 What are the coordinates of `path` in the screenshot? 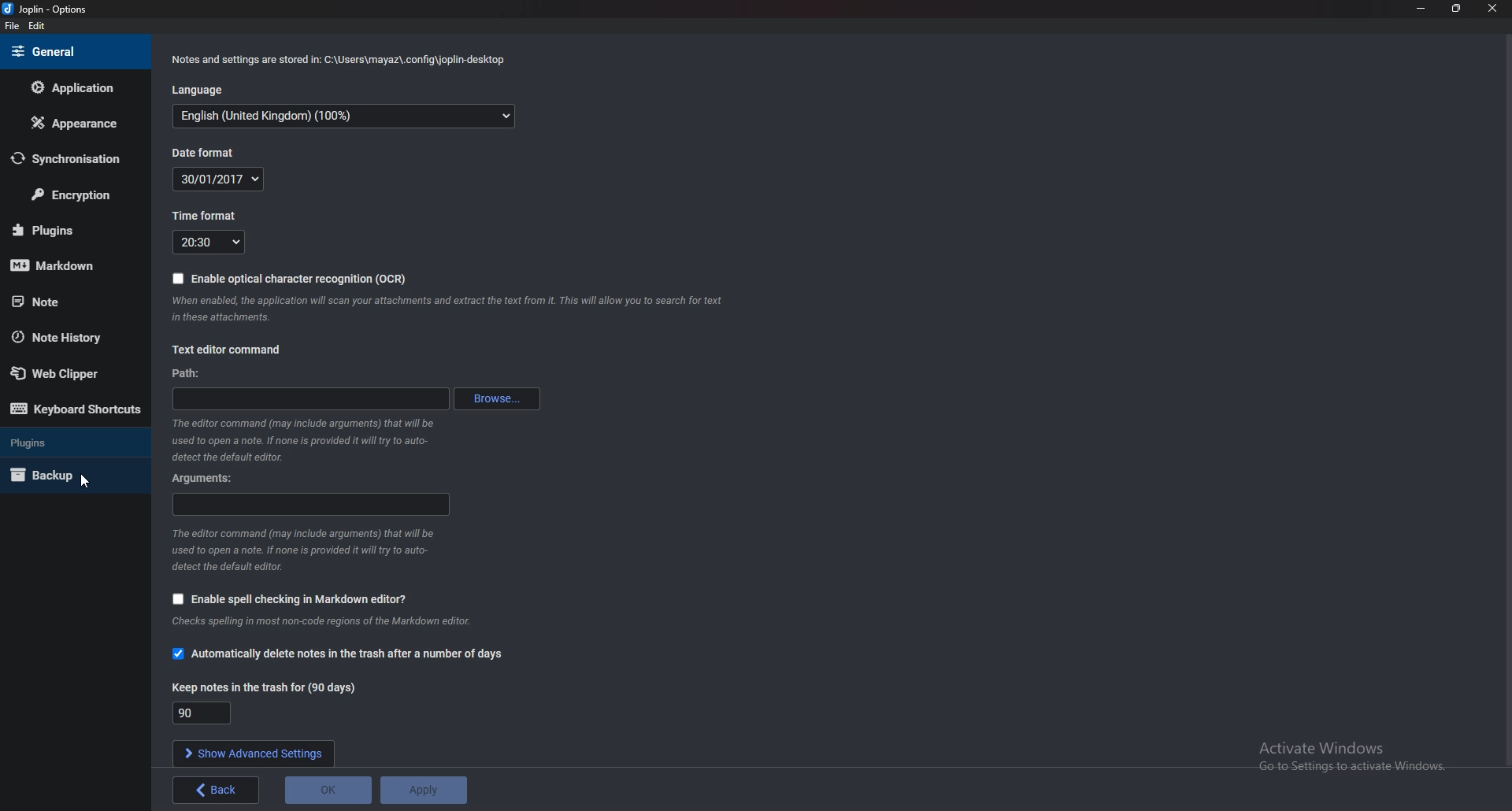 It's located at (195, 375).